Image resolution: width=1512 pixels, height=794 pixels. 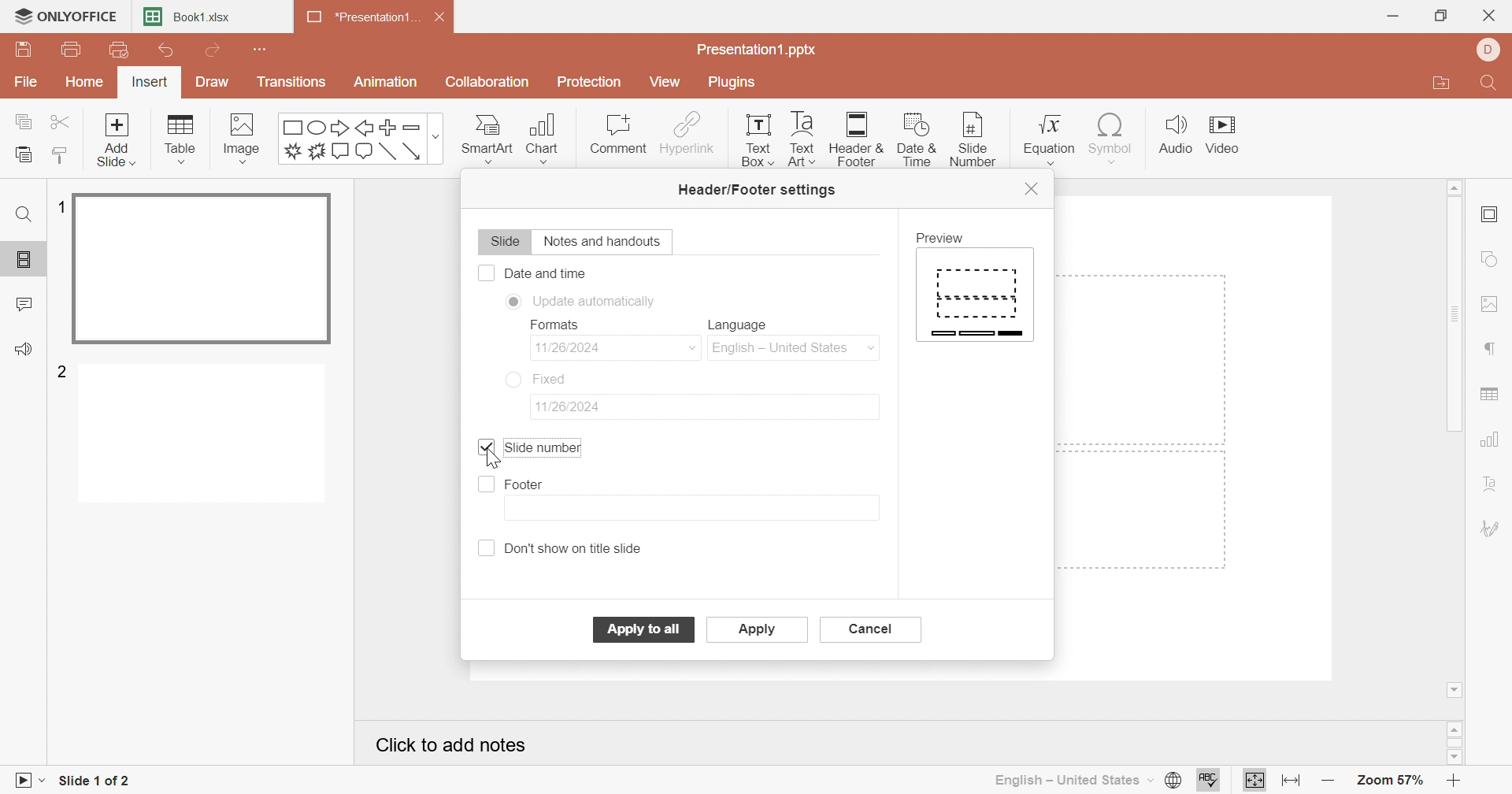 I want to click on Paste, so click(x=23, y=155).